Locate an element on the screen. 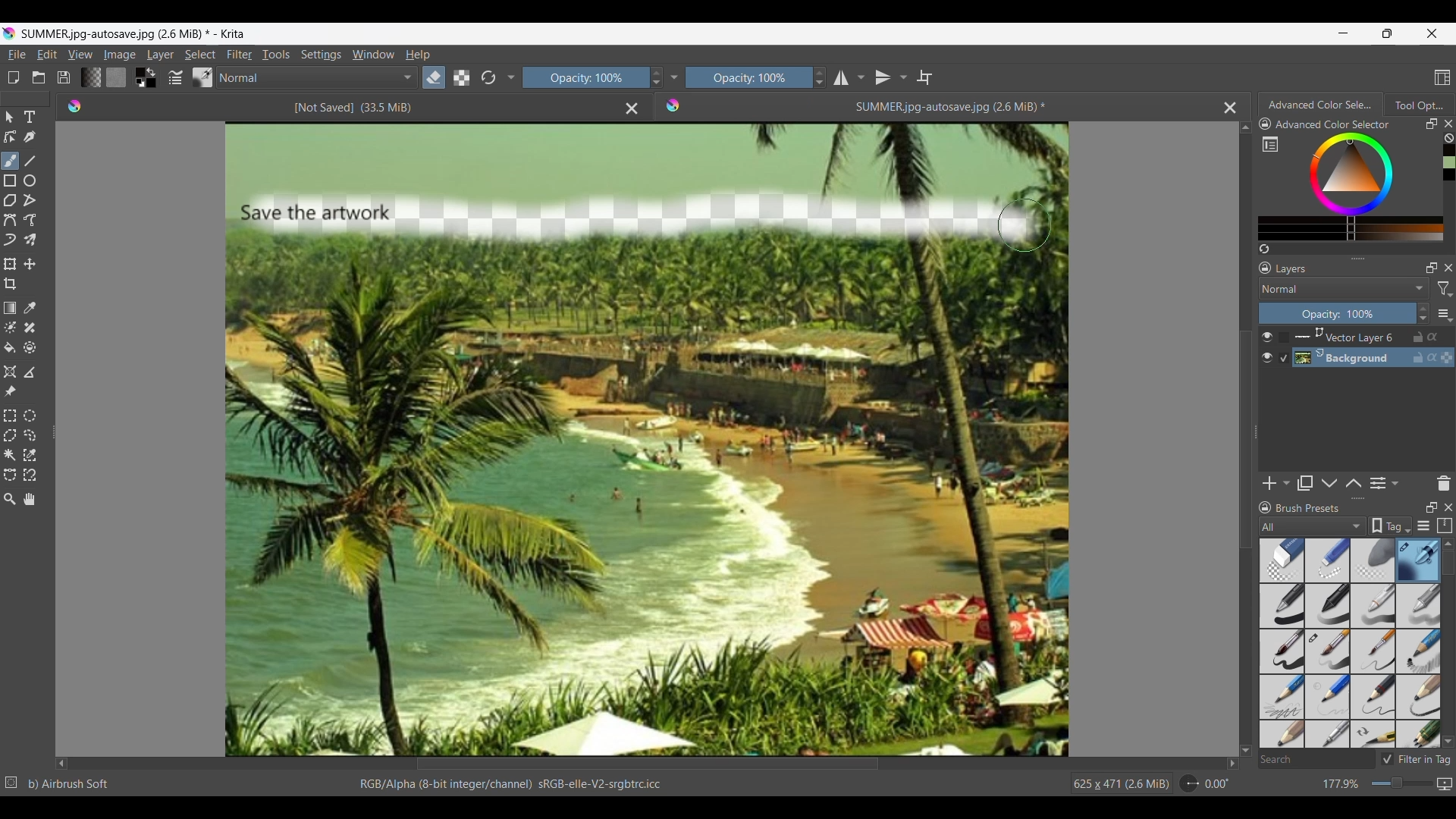 This screenshot has height=819, width=1456. Line tool is located at coordinates (30, 162).